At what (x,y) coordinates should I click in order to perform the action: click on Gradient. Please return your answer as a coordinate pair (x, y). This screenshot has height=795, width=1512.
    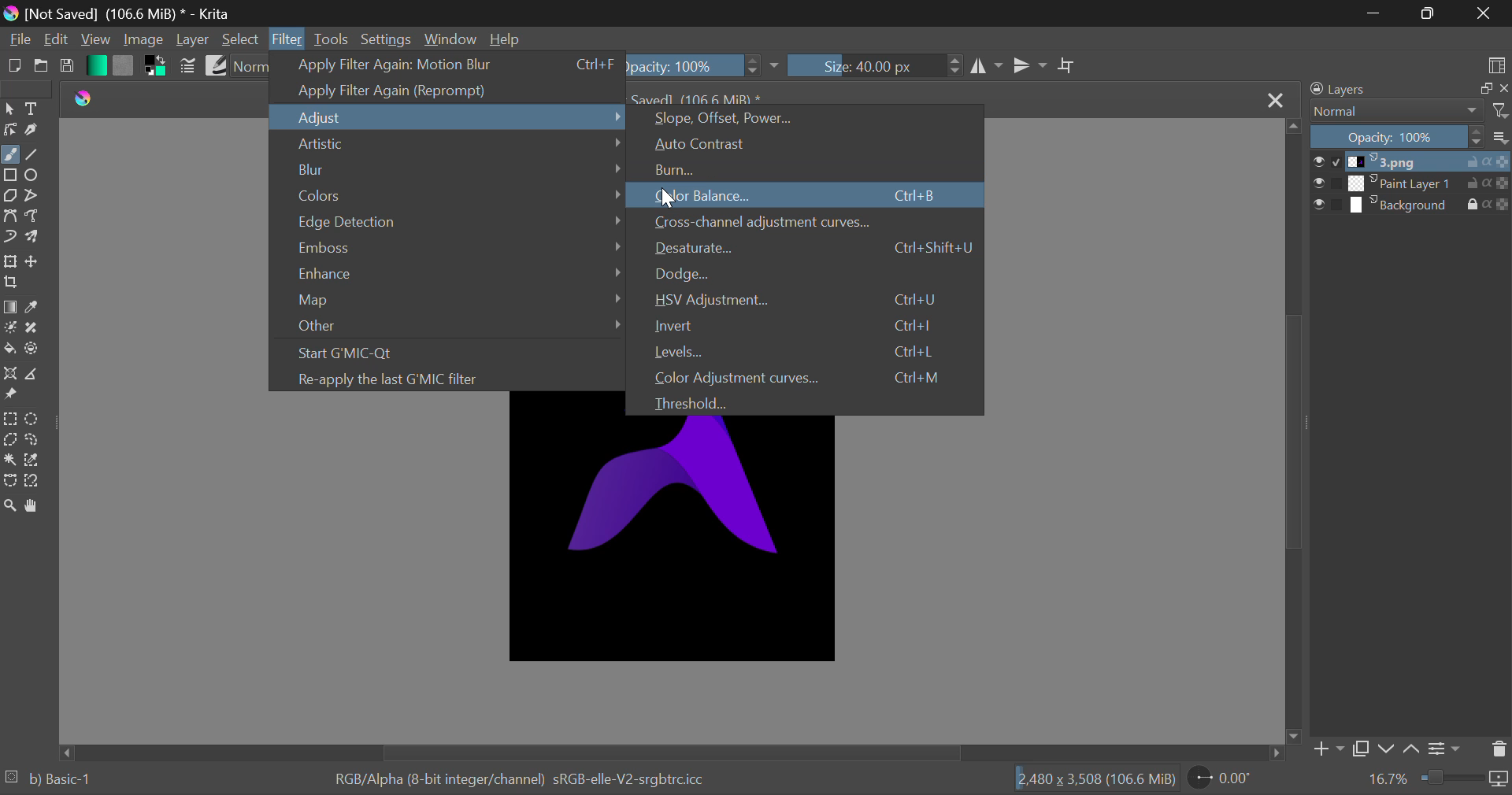
    Looking at the image, I should click on (95, 66).